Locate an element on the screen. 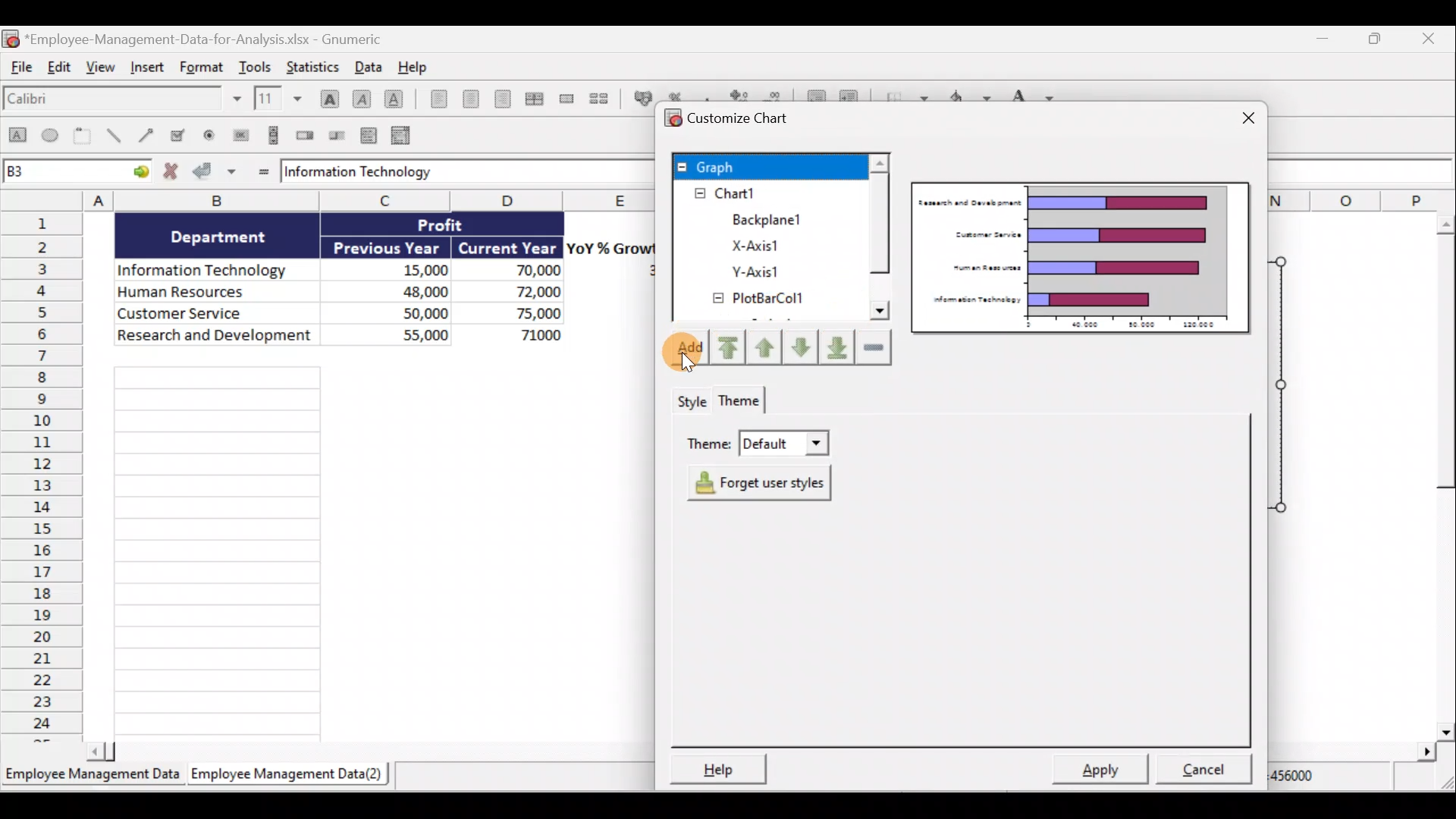 Image resolution: width=1456 pixels, height=819 pixels. Close is located at coordinates (1244, 121).